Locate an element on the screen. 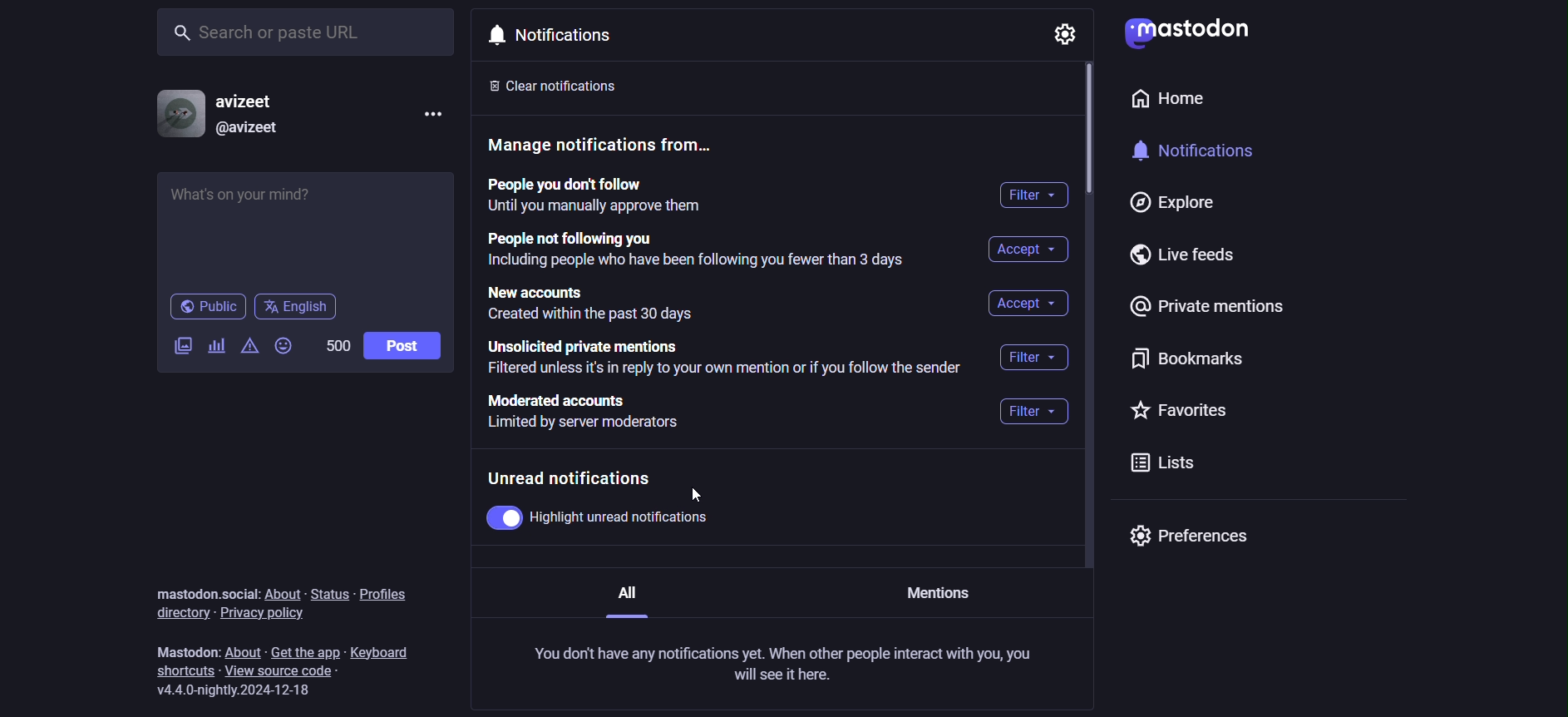 The width and height of the screenshot is (1568, 717). home is located at coordinates (1135, 98).